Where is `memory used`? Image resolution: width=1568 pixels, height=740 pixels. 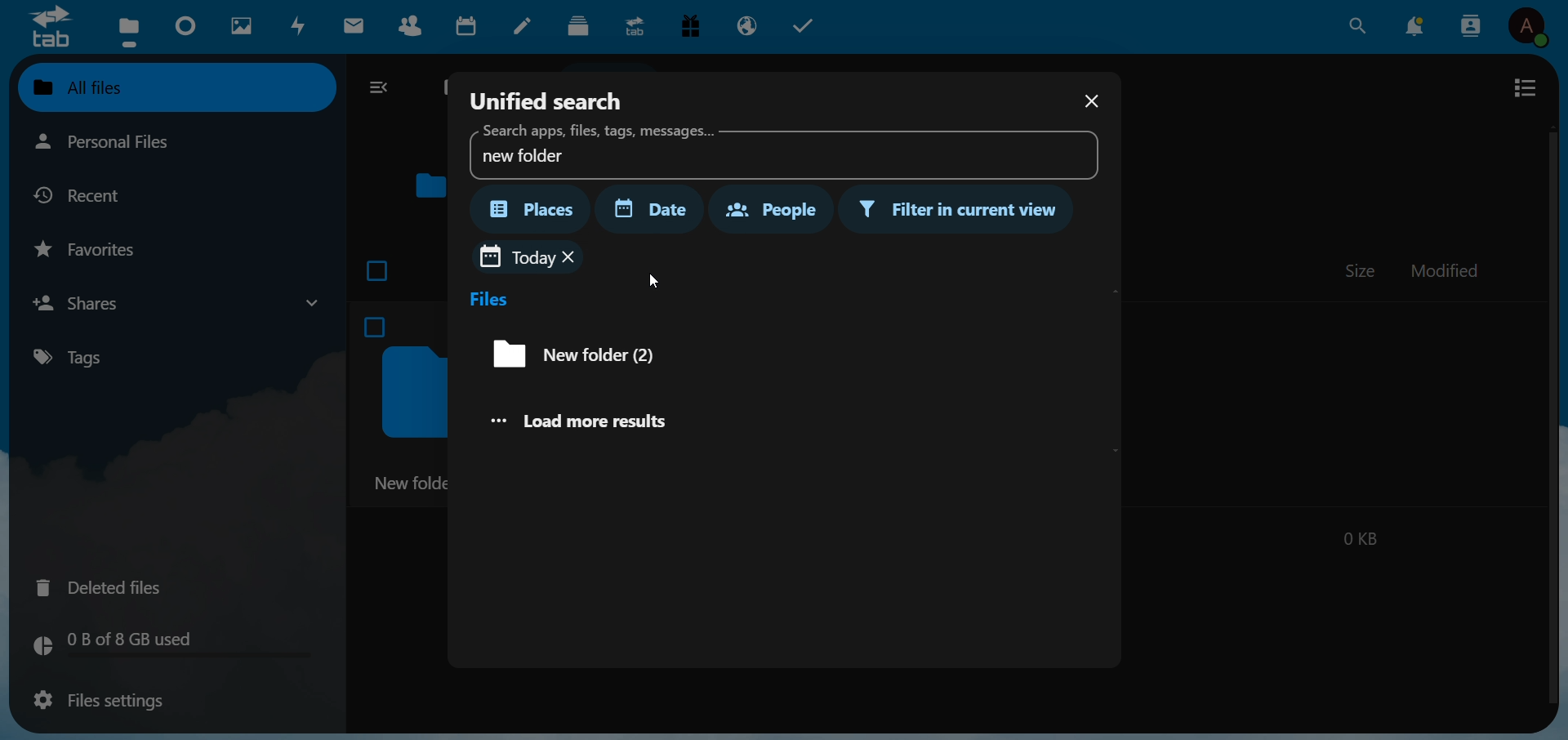
memory used is located at coordinates (168, 645).